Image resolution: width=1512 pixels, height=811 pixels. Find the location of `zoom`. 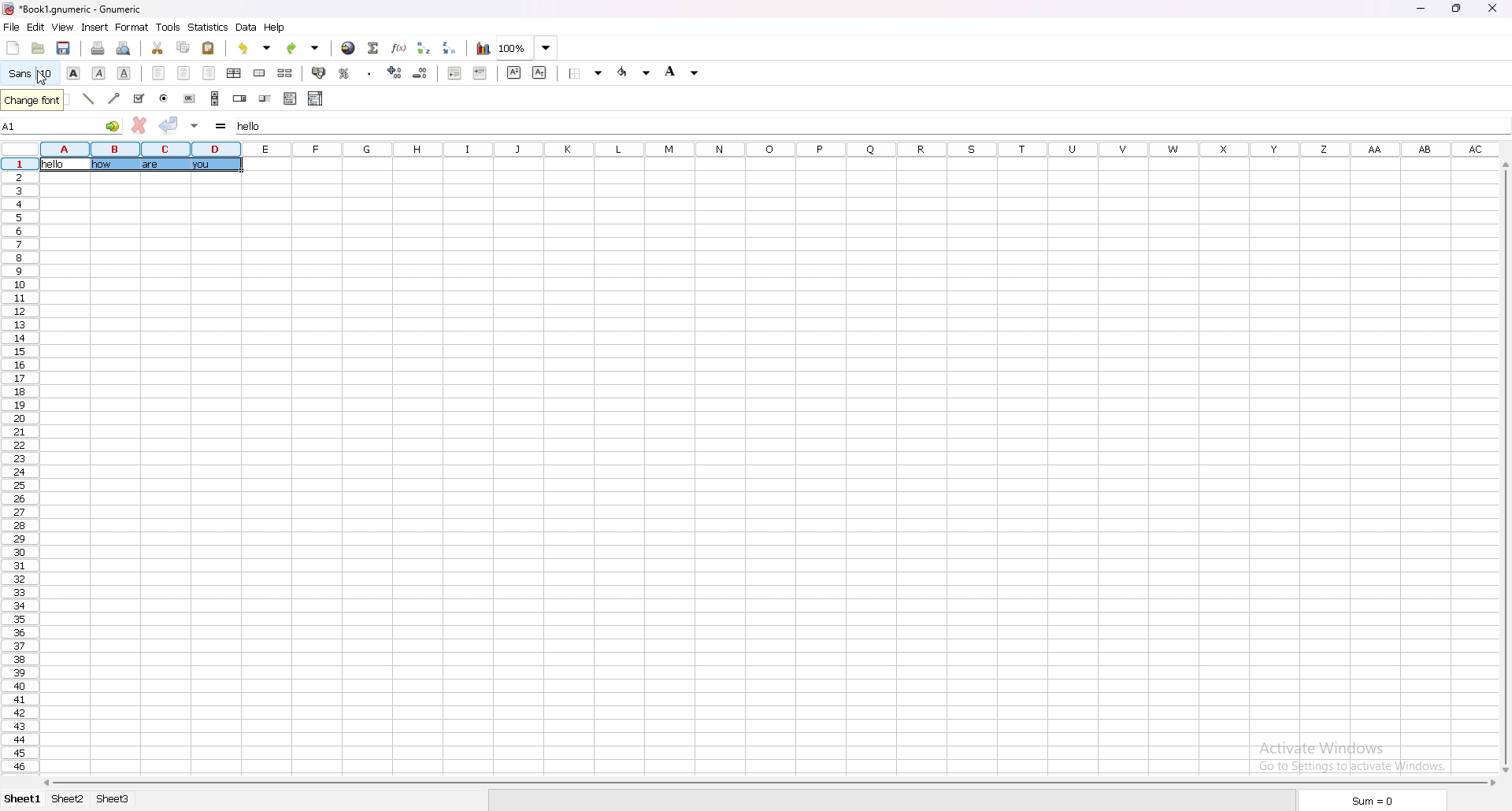

zoom is located at coordinates (528, 48).